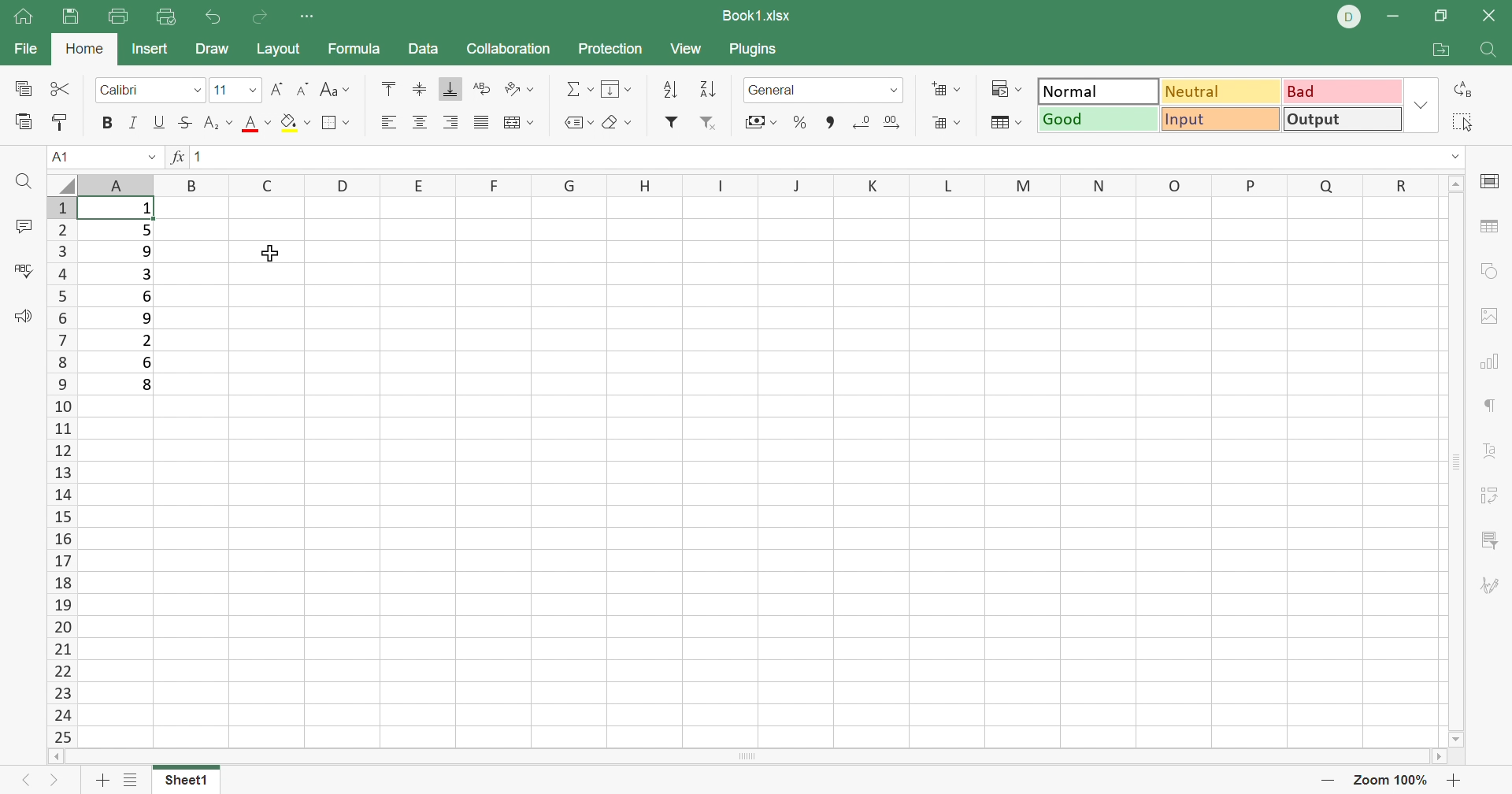 Image resolution: width=1512 pixels, height=794 pixels. What do you see at coordinates (1493, 13) in the screenshot?
I see `Close` at bounding box center [1493, 13].